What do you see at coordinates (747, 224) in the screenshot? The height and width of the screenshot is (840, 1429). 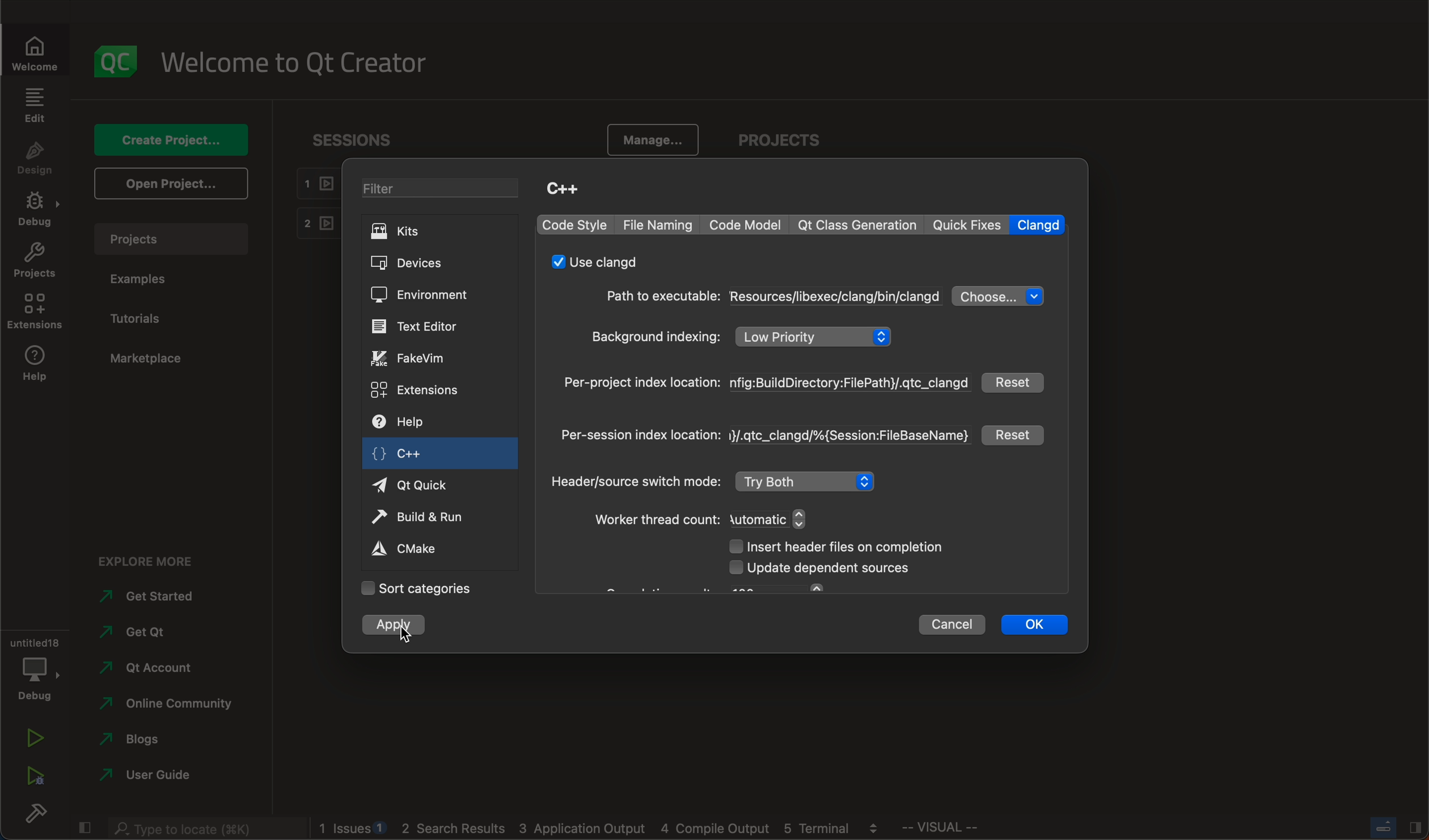 I see `code model` at bounding box center [747, 224].